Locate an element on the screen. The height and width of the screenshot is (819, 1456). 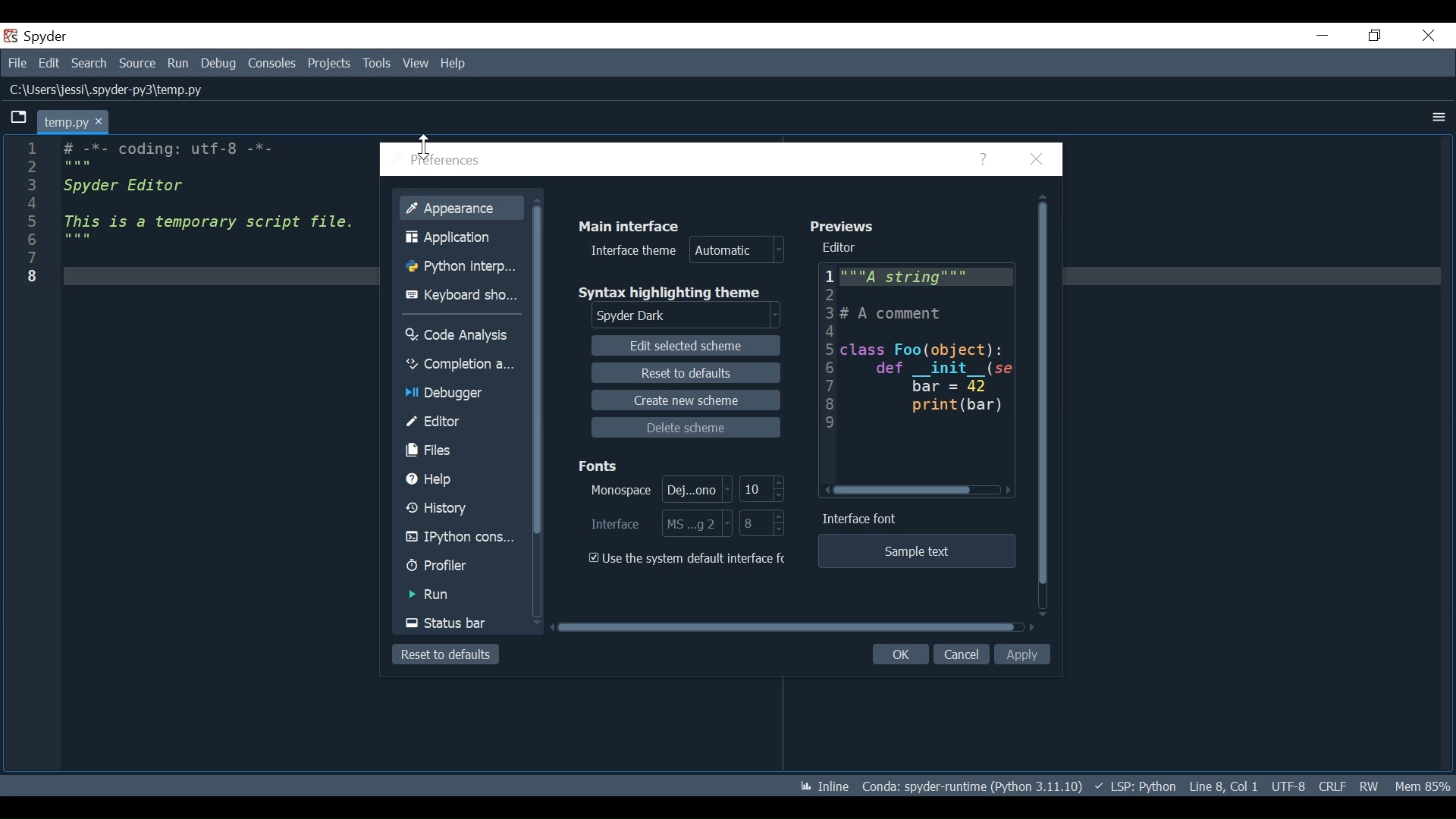
1"""A string™""23# A comment45 class Foo(object):[3 def __init_ (sev/ bar = 428 print(bar) is located at coordinates (905, 373).